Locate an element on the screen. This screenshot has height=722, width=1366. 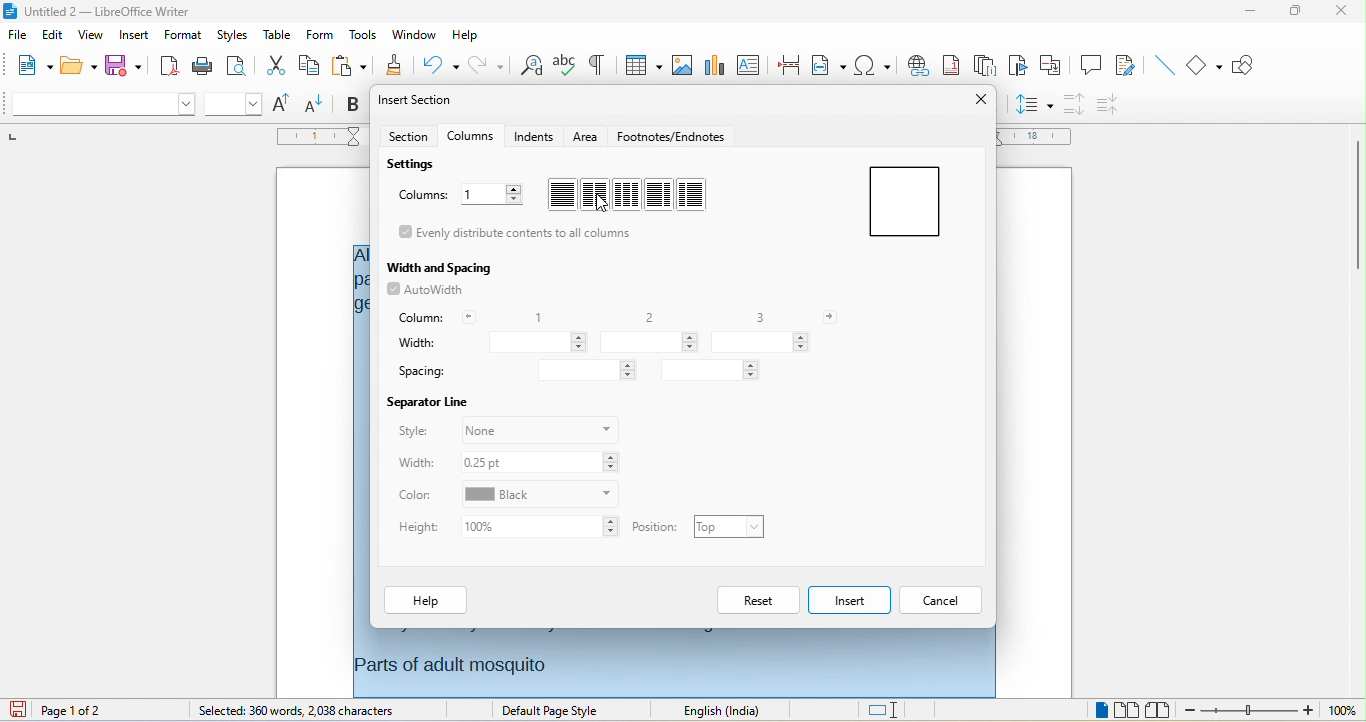
maximize is located at coordinates (1292, 13).